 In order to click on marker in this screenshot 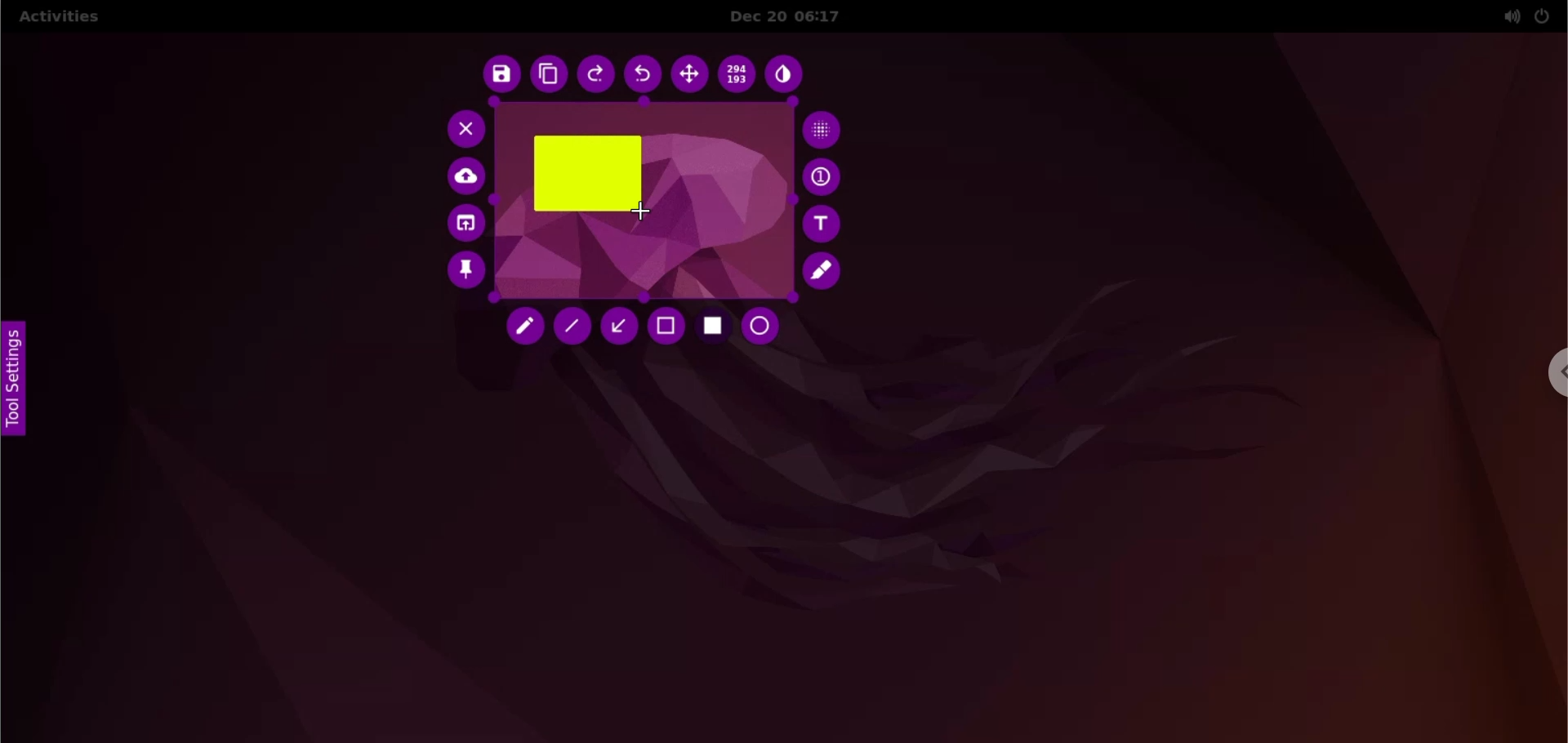, I will do `click(825, 271)`.